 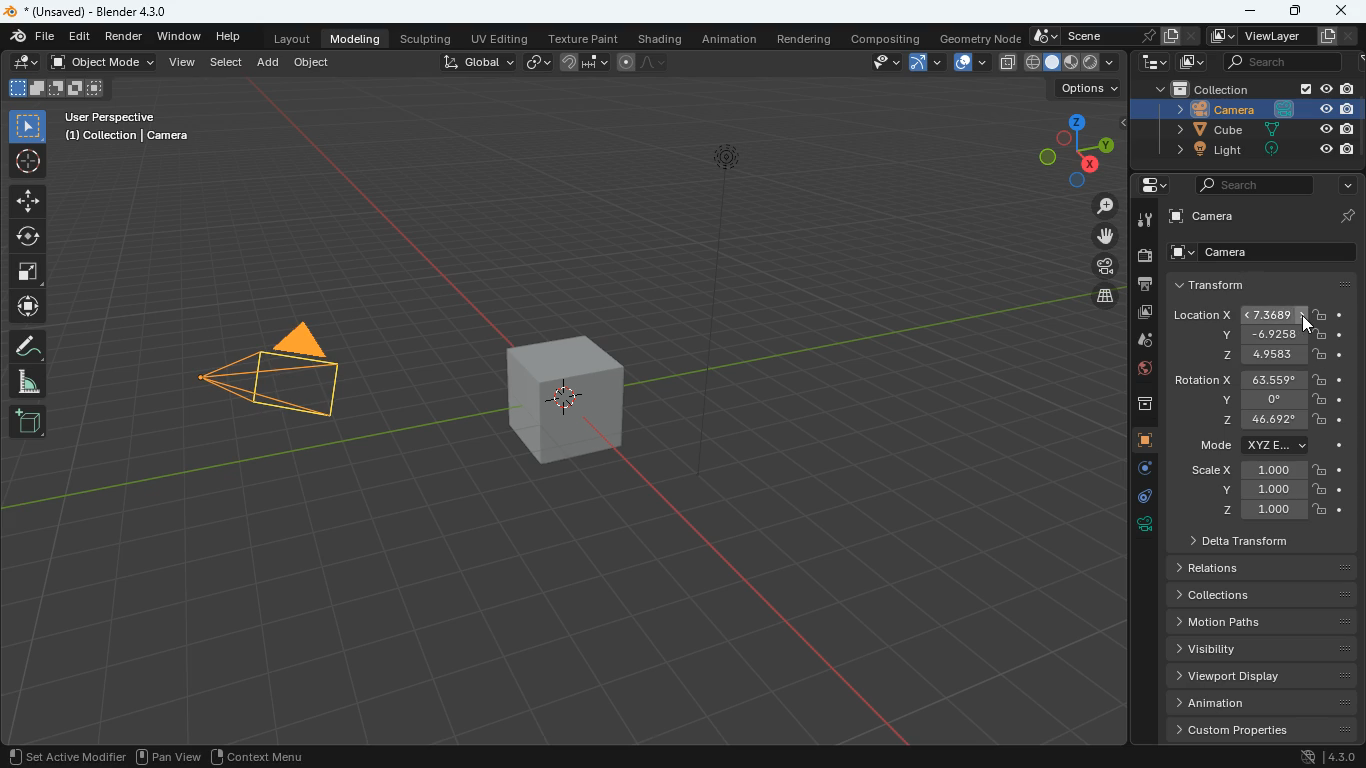 I want to click on Visibility, so click(x=1262, y=649).